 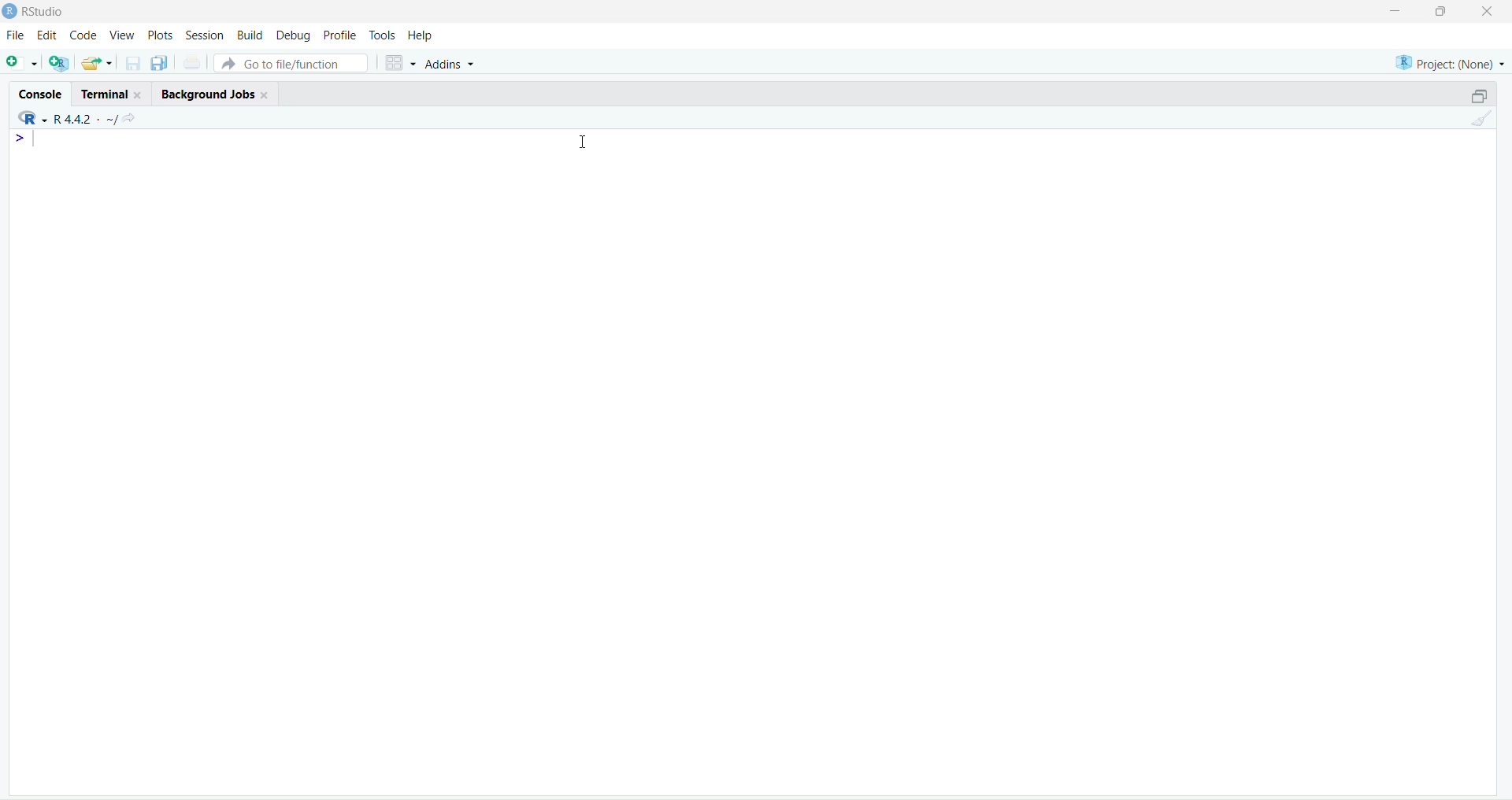 What do you see at coordinates (343, 36) in the screenshot?
I see `Profile` at bounding box center [343, 36].